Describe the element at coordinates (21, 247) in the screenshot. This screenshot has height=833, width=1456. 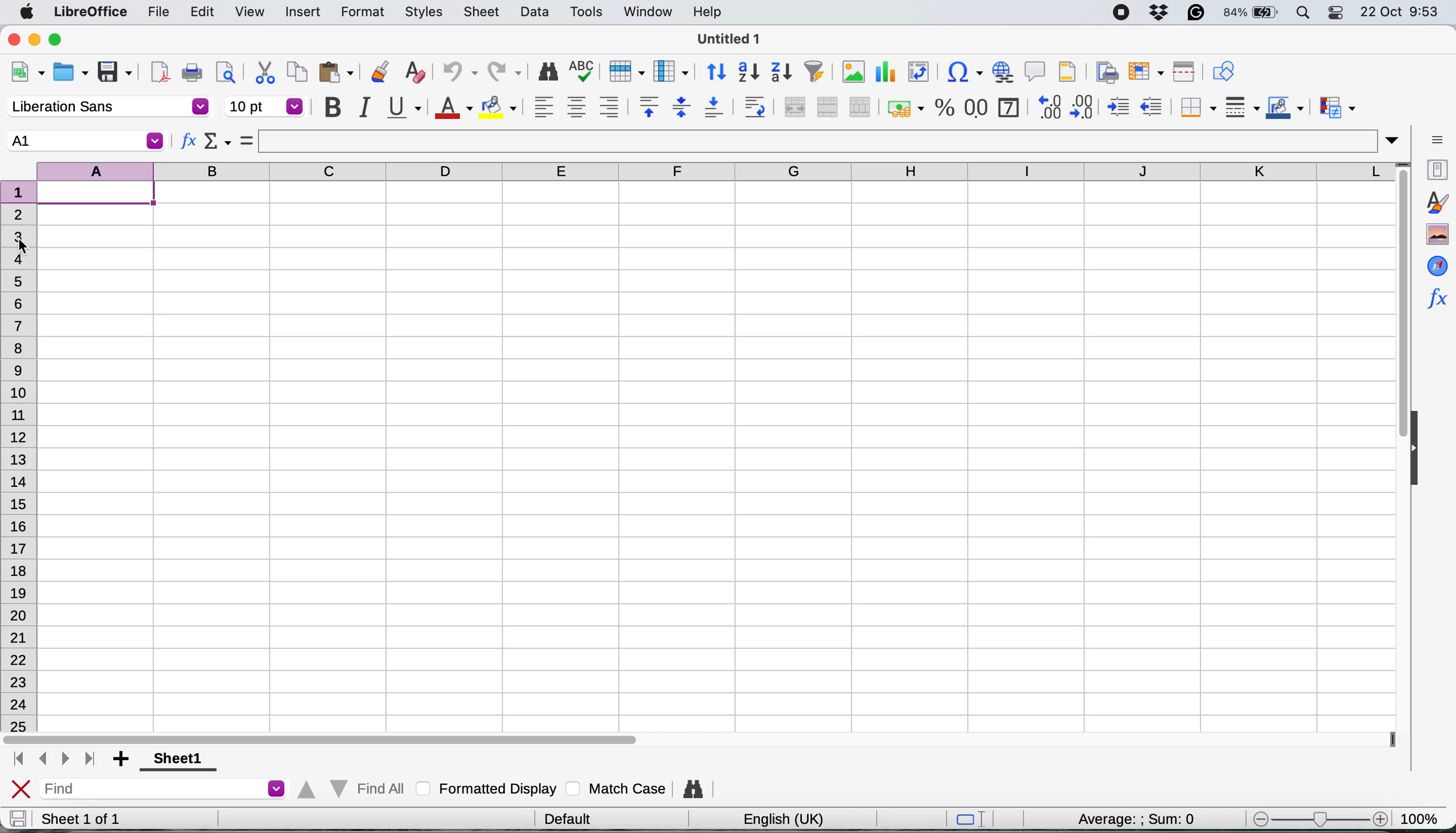
I see `cursor mouse down` at that location.